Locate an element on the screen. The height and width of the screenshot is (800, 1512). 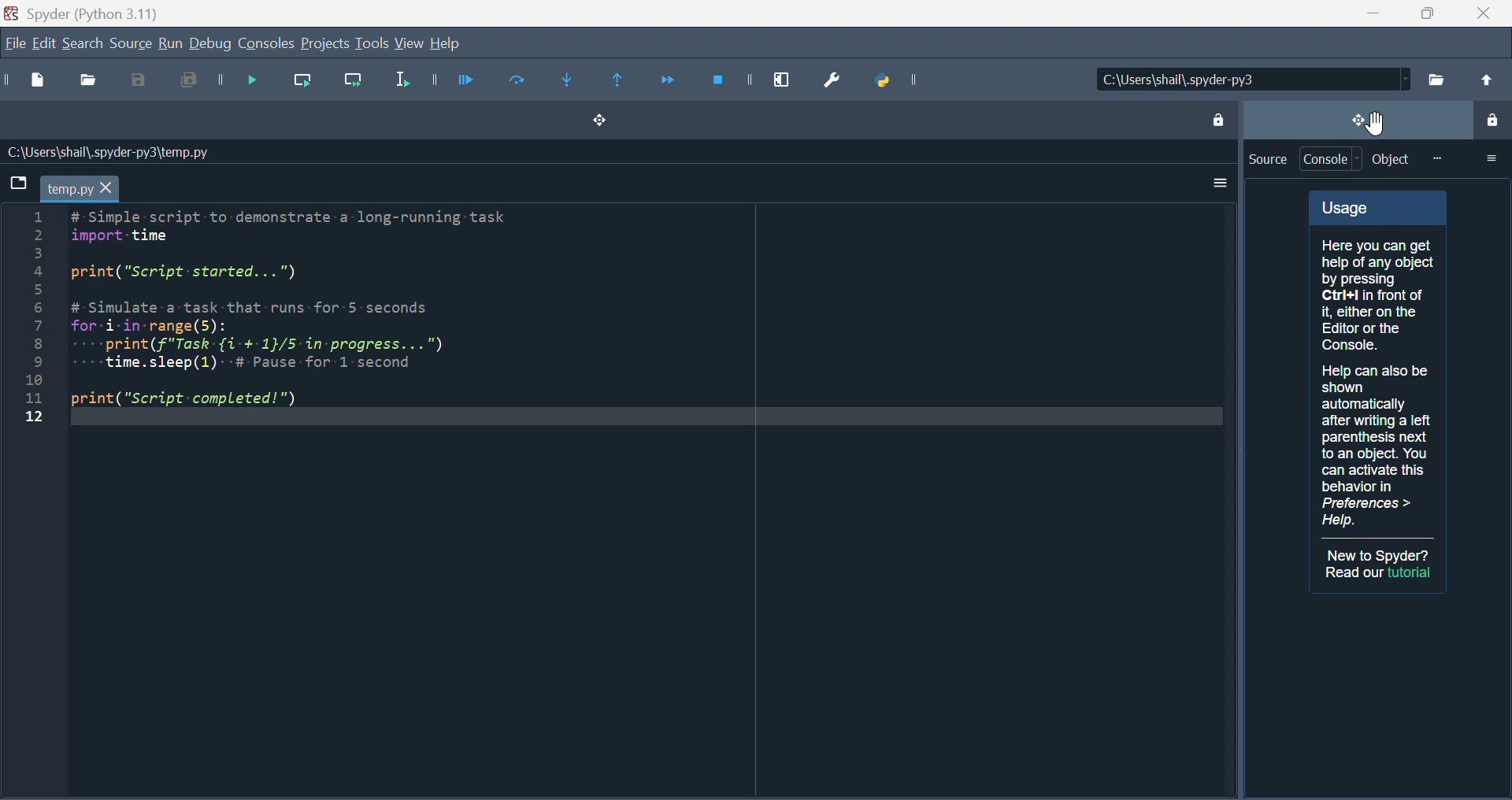
lock is located at coordinates (1217, 117).